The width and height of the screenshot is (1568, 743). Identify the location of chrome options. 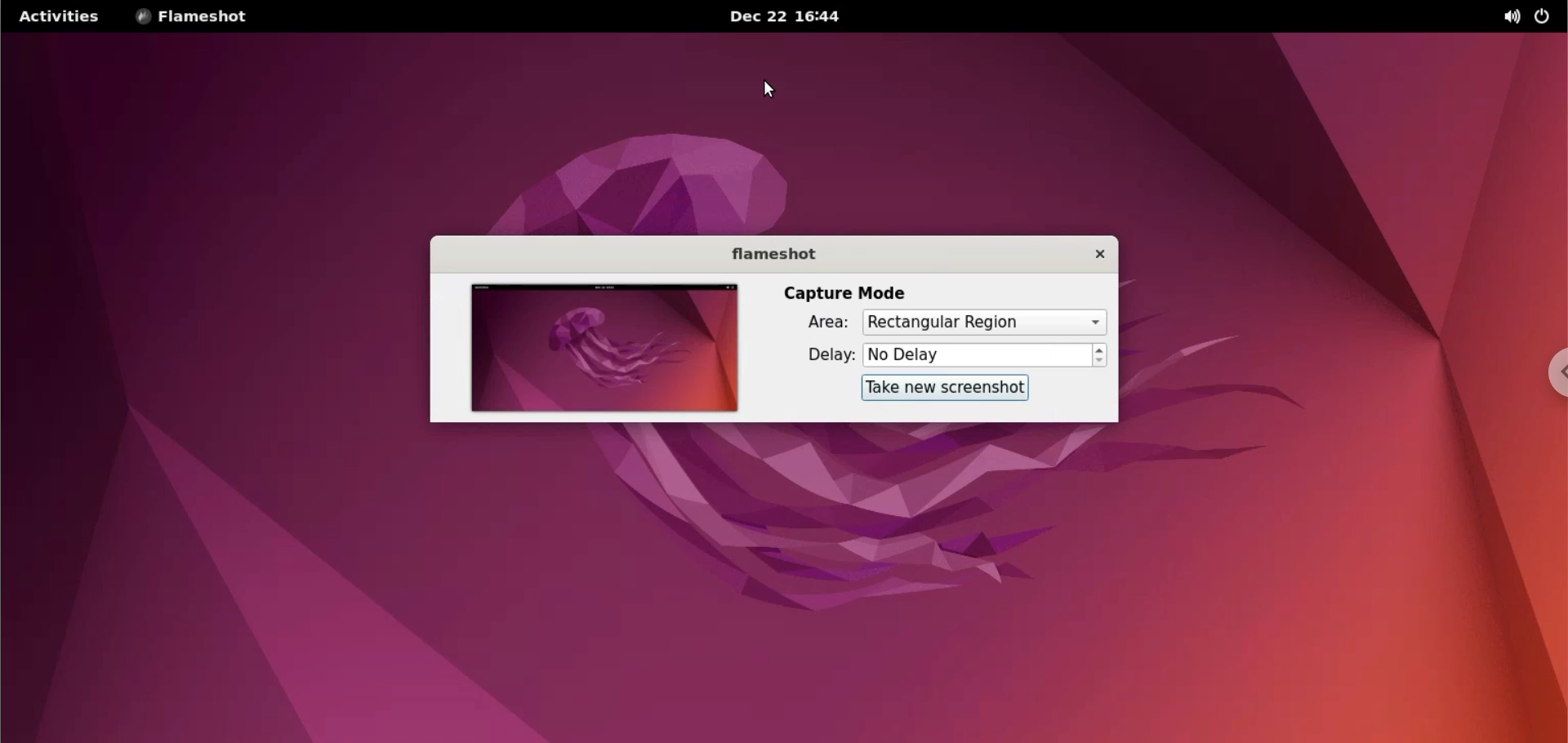
(1548, 372).